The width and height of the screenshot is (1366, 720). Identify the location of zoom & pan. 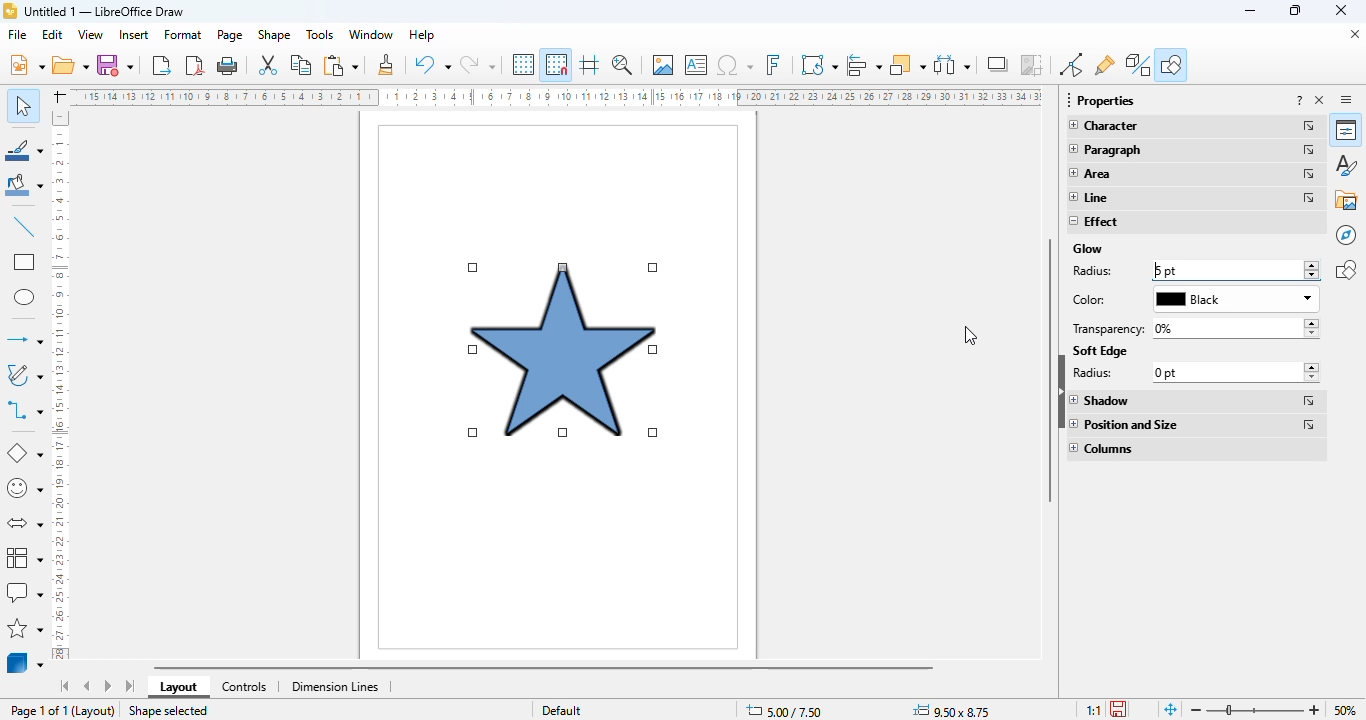
(623, 65).